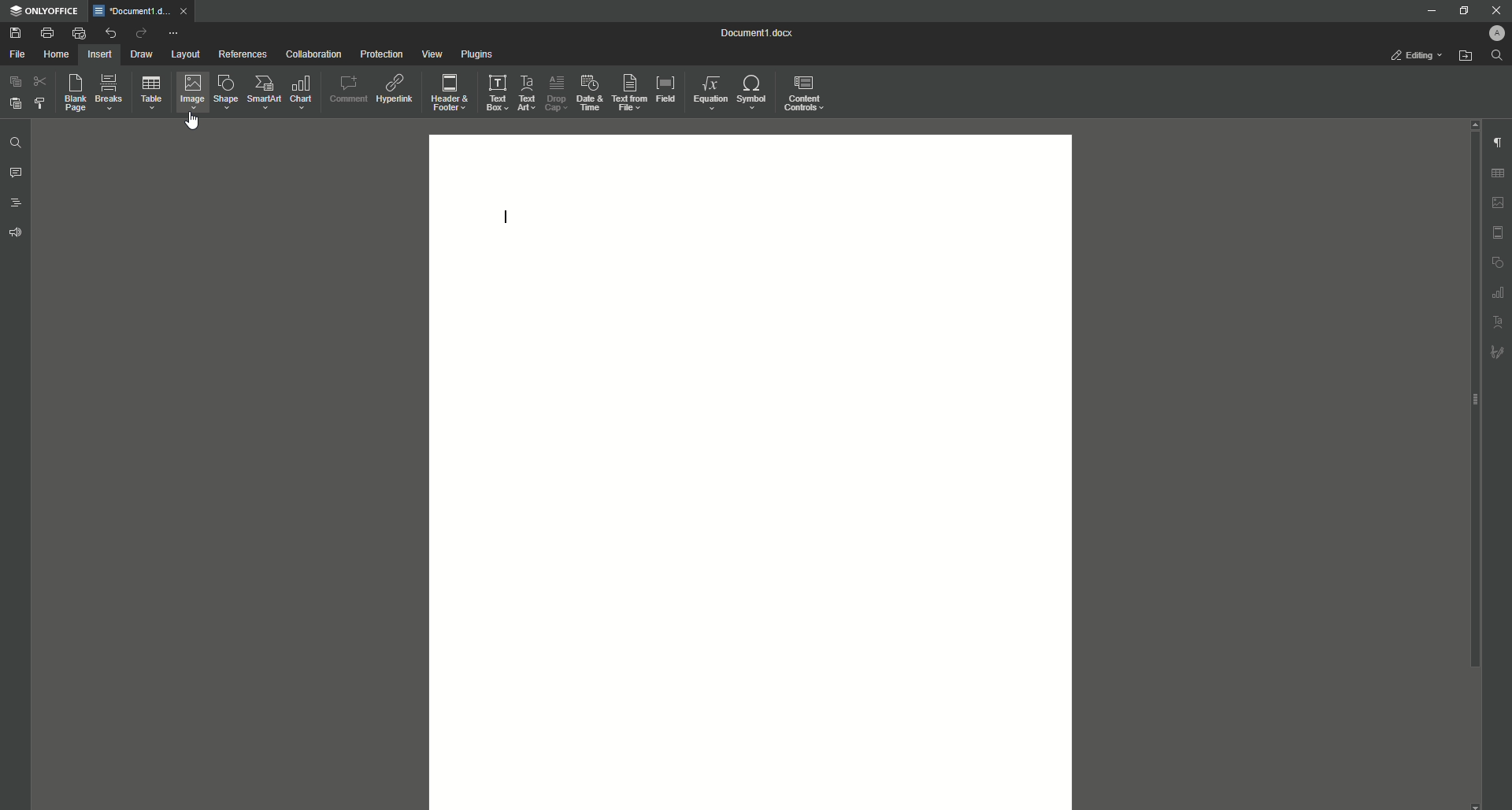  What do you see at coordinates (710, 95) in the screenshot?
I see `Equation` at bounding box center [710, 95].